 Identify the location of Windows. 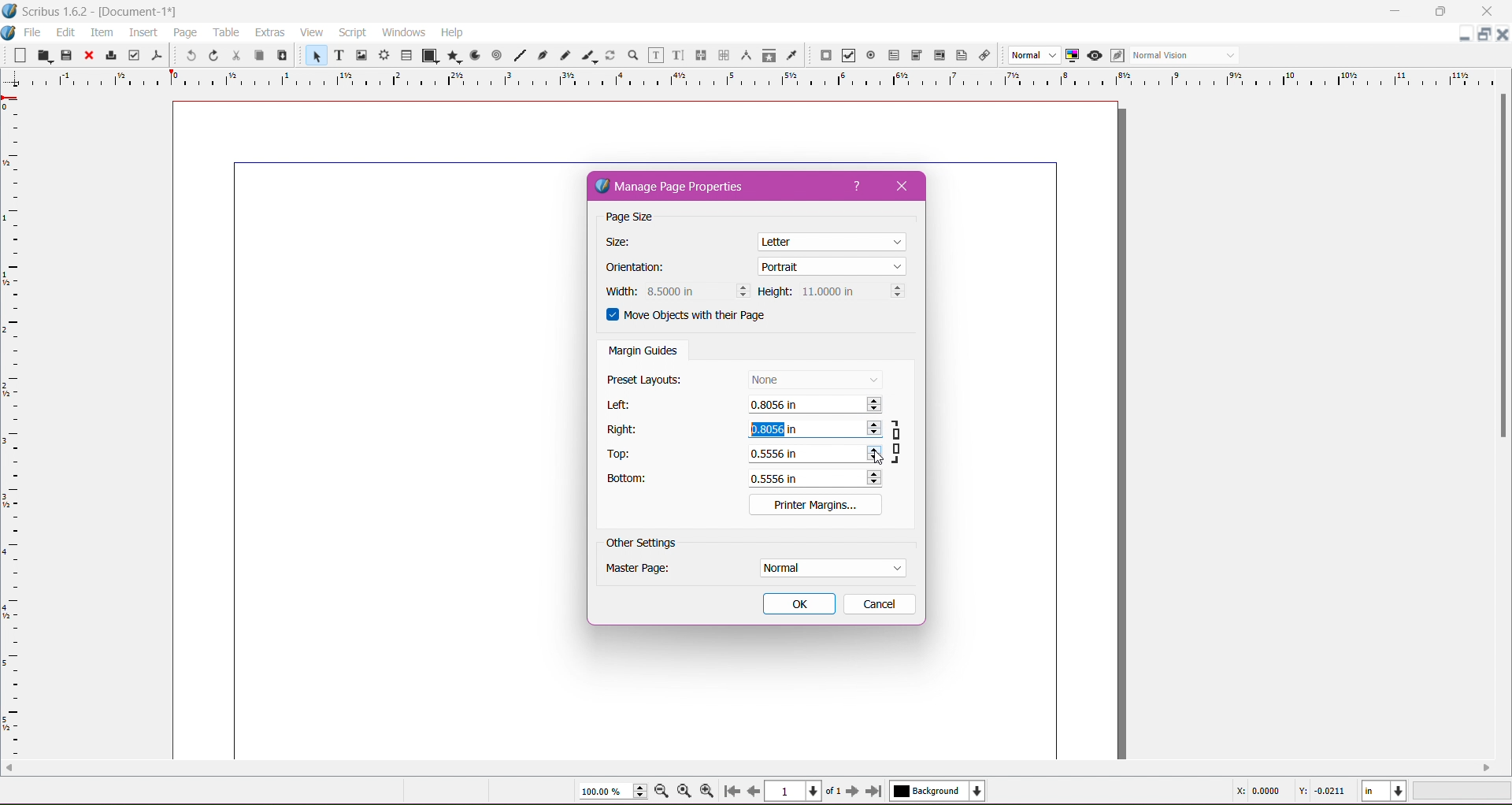
(403, 32).